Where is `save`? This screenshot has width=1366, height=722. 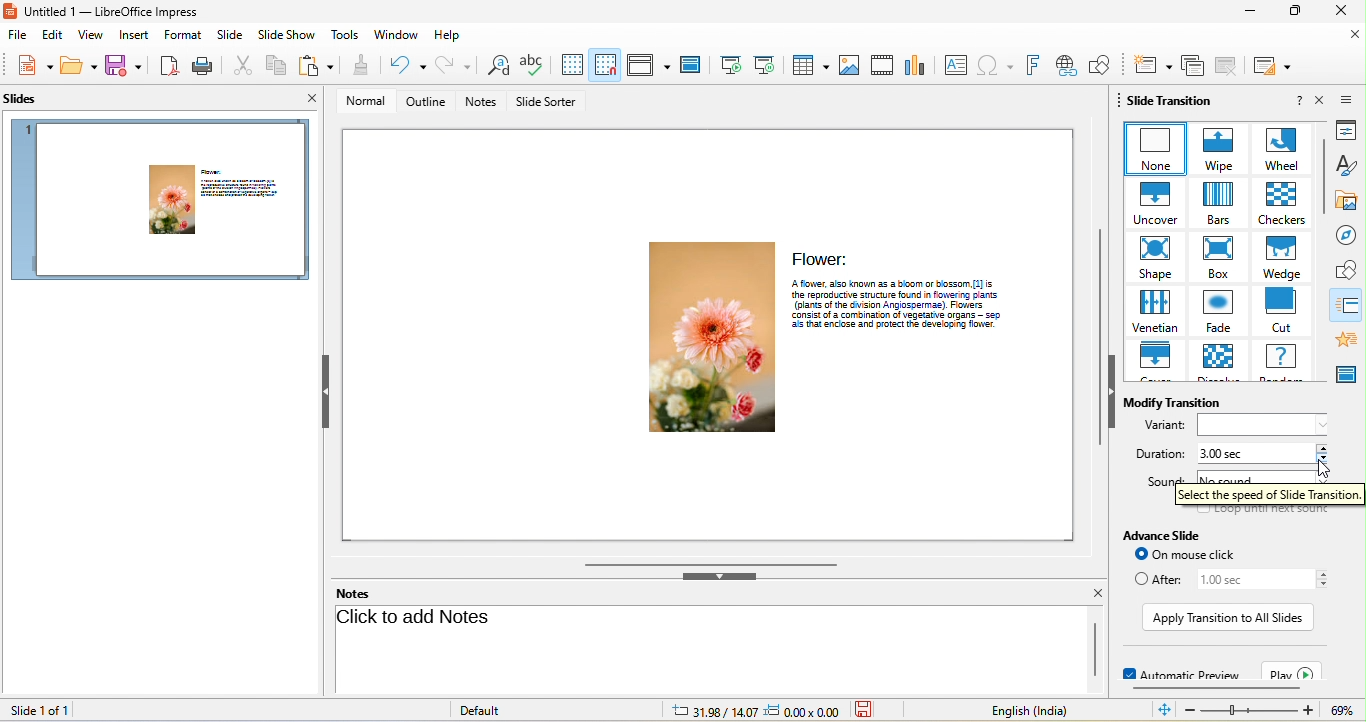
save is located at coordinates (126, 68).